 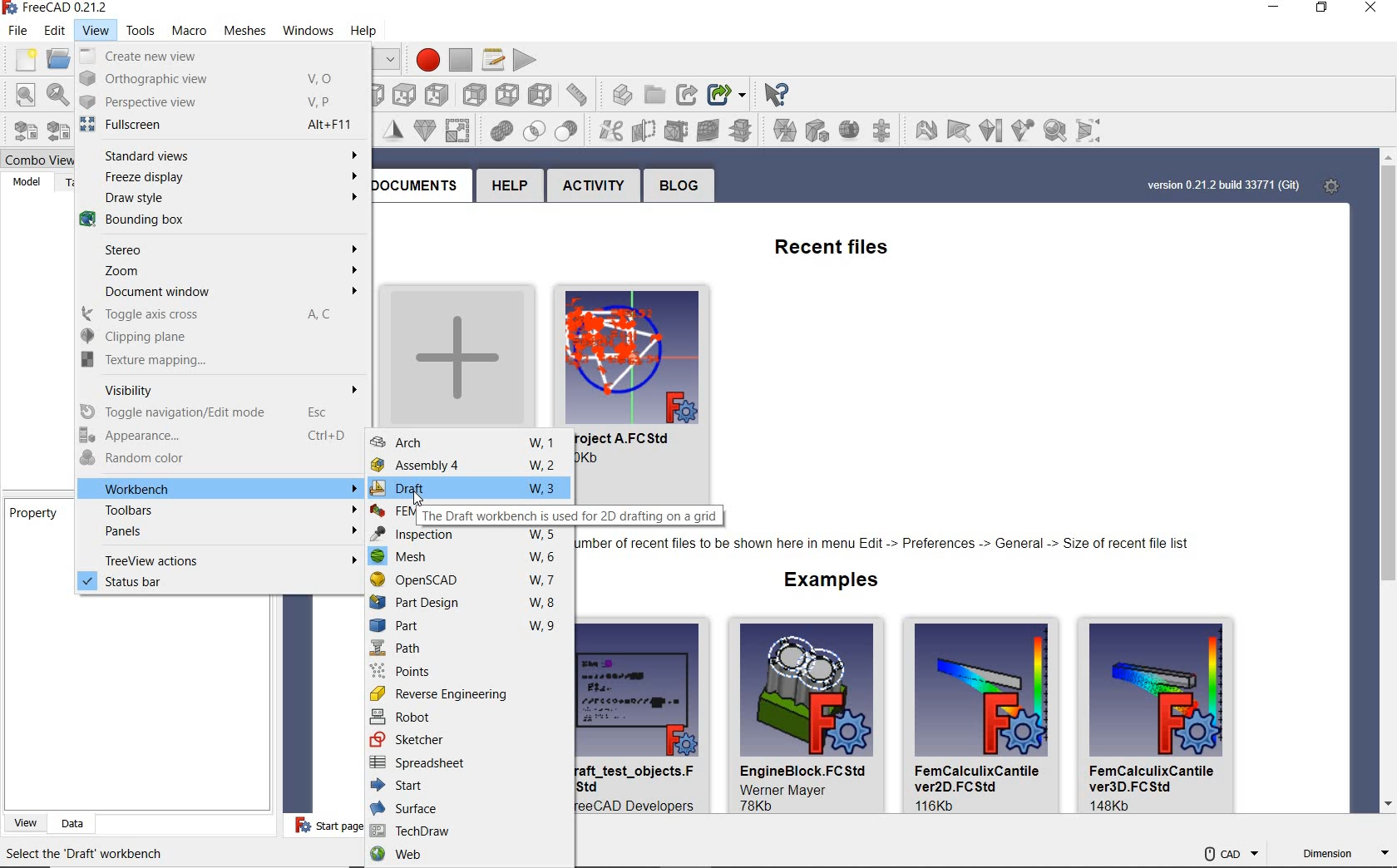 What do you see at coordinates (215, 293) in the screenshot?
I see `document window` at bounding box center [215, 293].